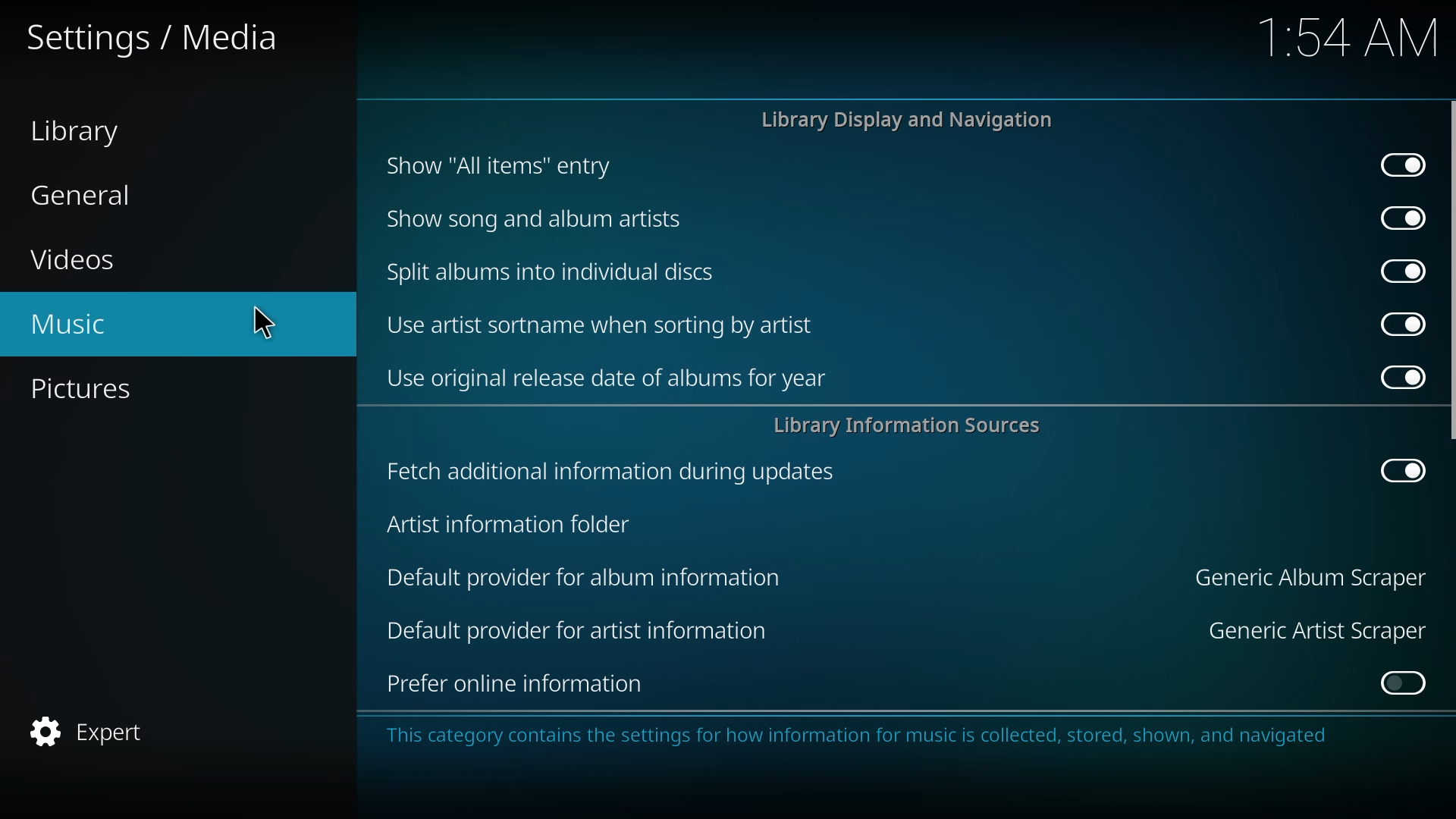  What do you see at coordinates (1395, 218) in the screenshot?
I see `enabled` at bounding box center [1395, 218].